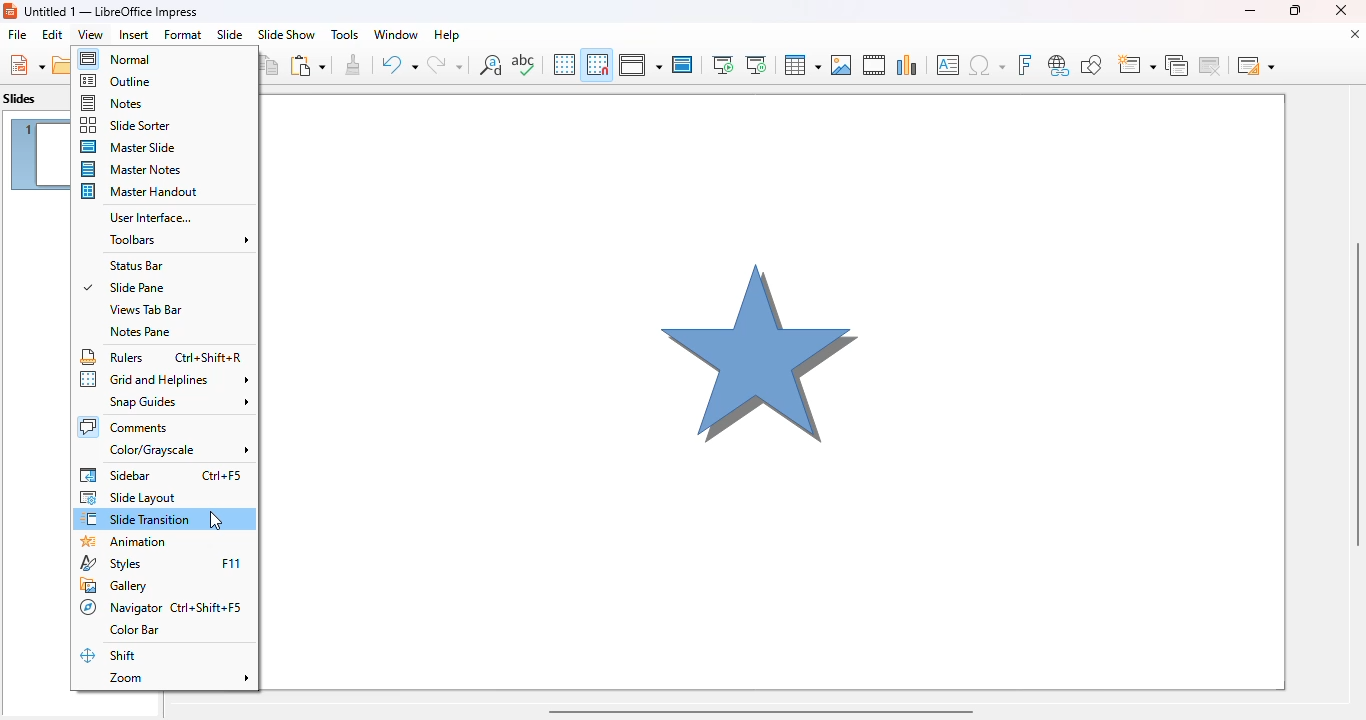 This screenshot has width=1366, height=720. I want to click on animation, so click(123, 542).